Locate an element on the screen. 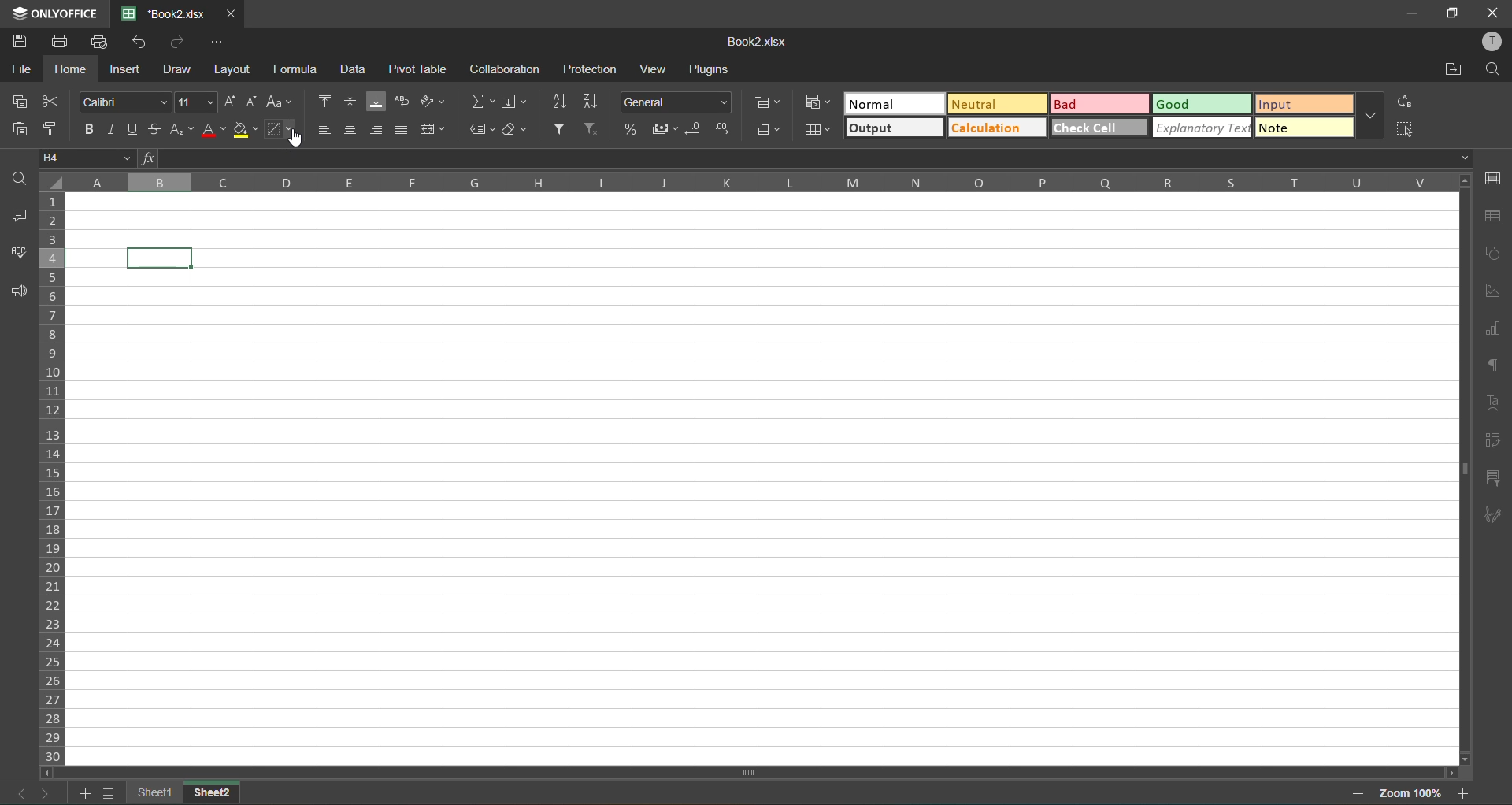 This screenshot has width=1512, height=805. merge and center is located at coordinates (432, 129).